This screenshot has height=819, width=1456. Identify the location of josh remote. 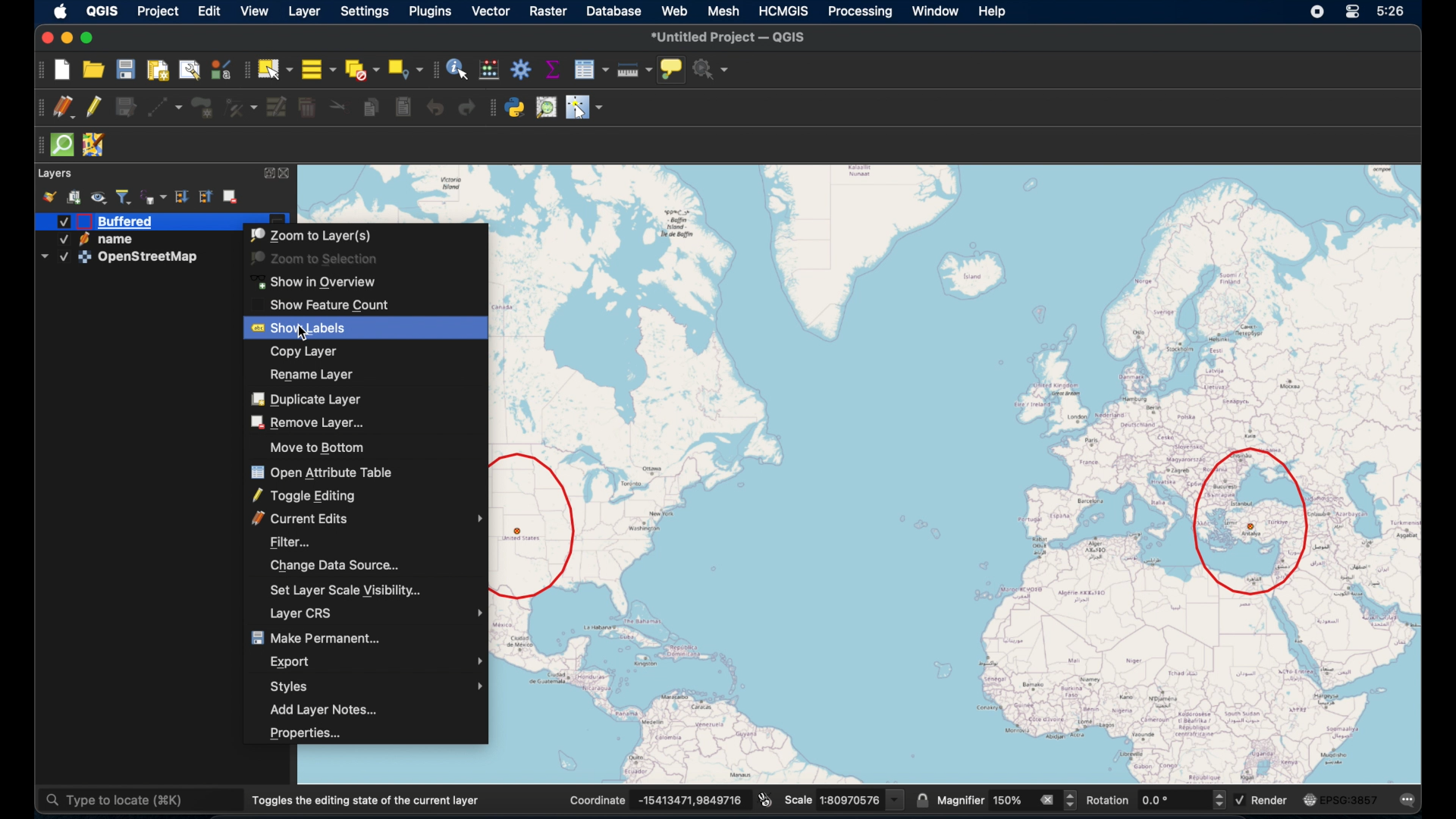
(94, 146).